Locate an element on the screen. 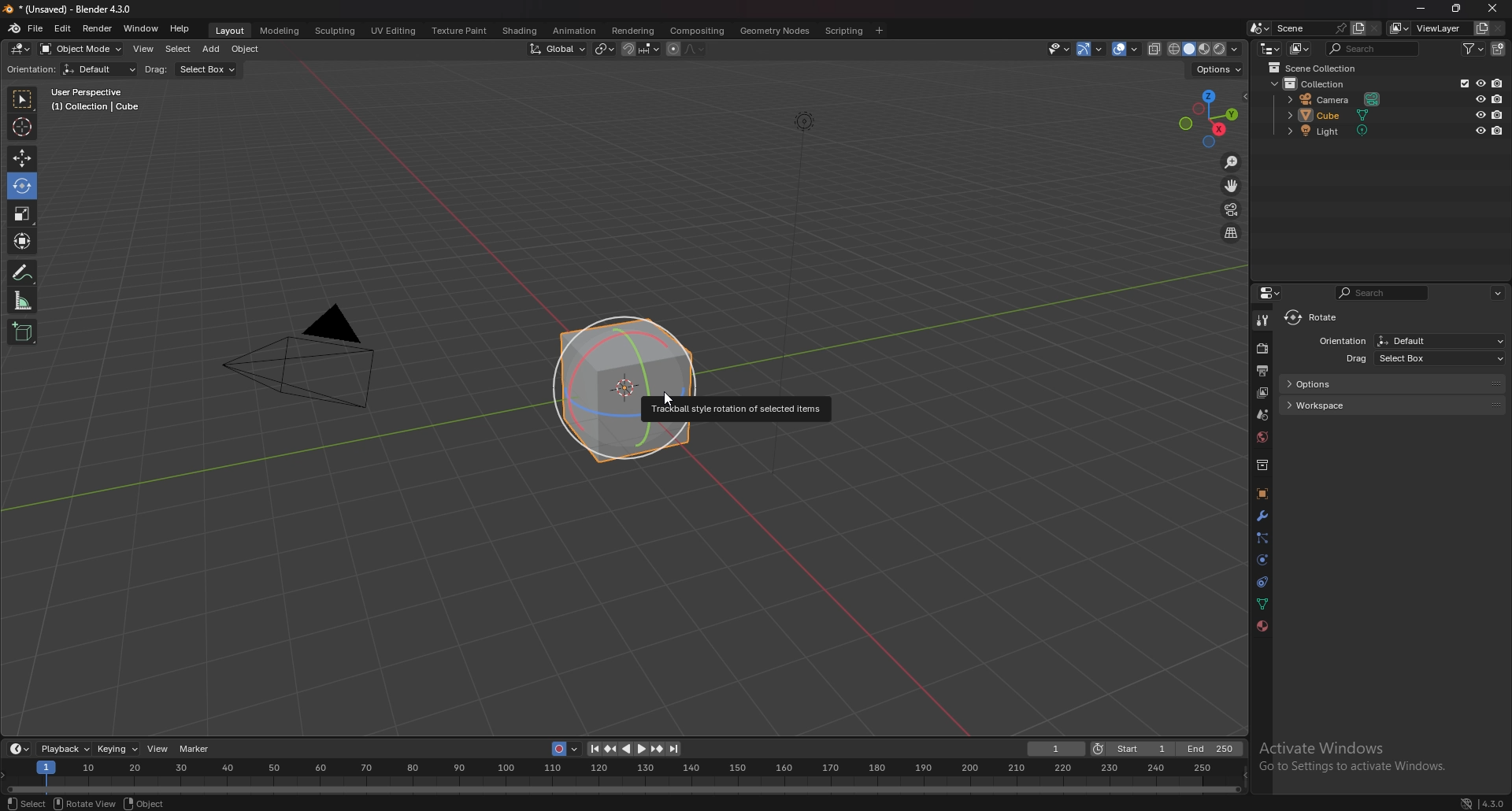 This screenshot has height=811, width=1512. minimize is located at coordinates (1421, 7).